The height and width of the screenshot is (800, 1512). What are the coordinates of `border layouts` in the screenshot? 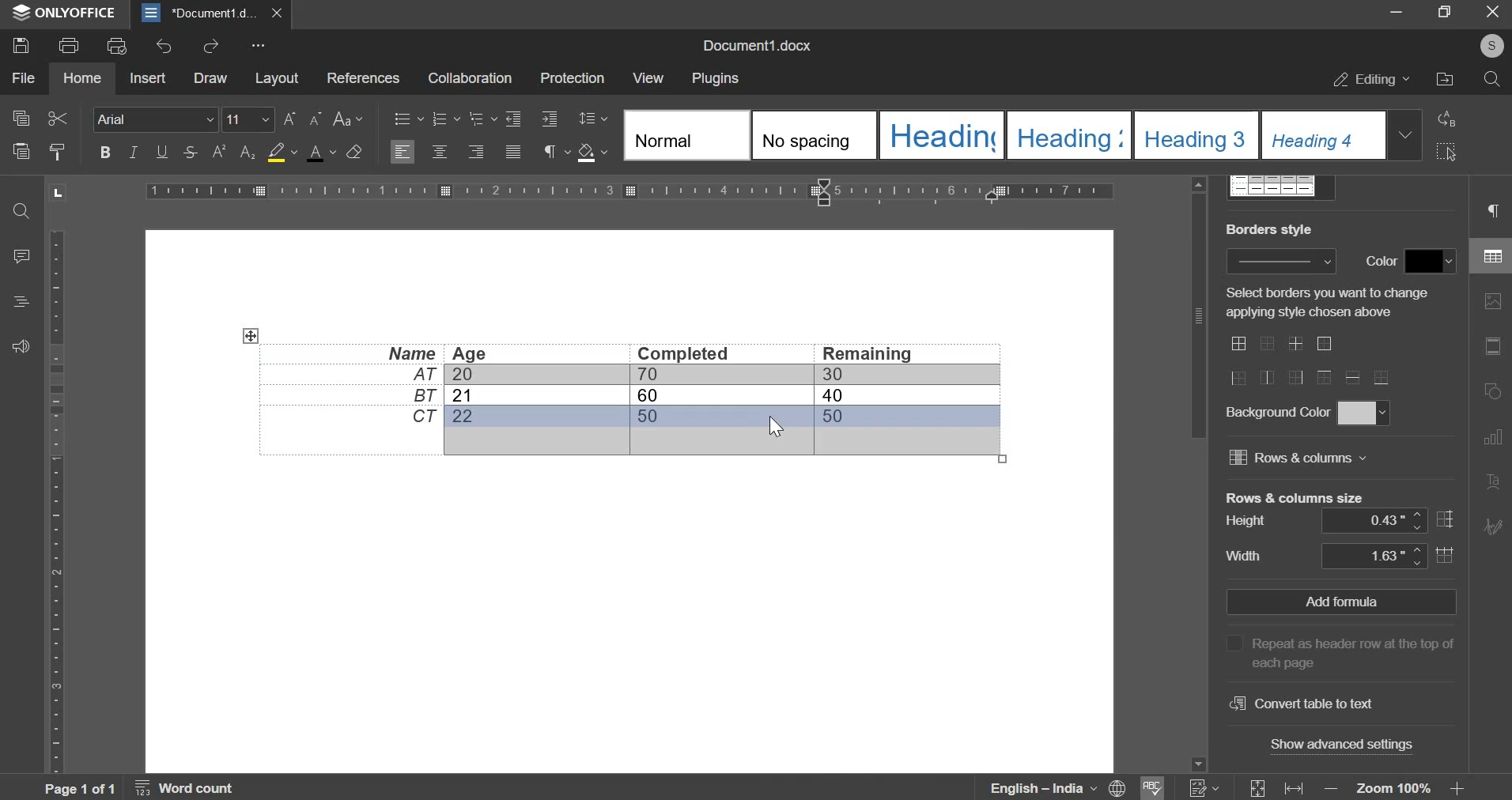 It's located at (1318, 362).